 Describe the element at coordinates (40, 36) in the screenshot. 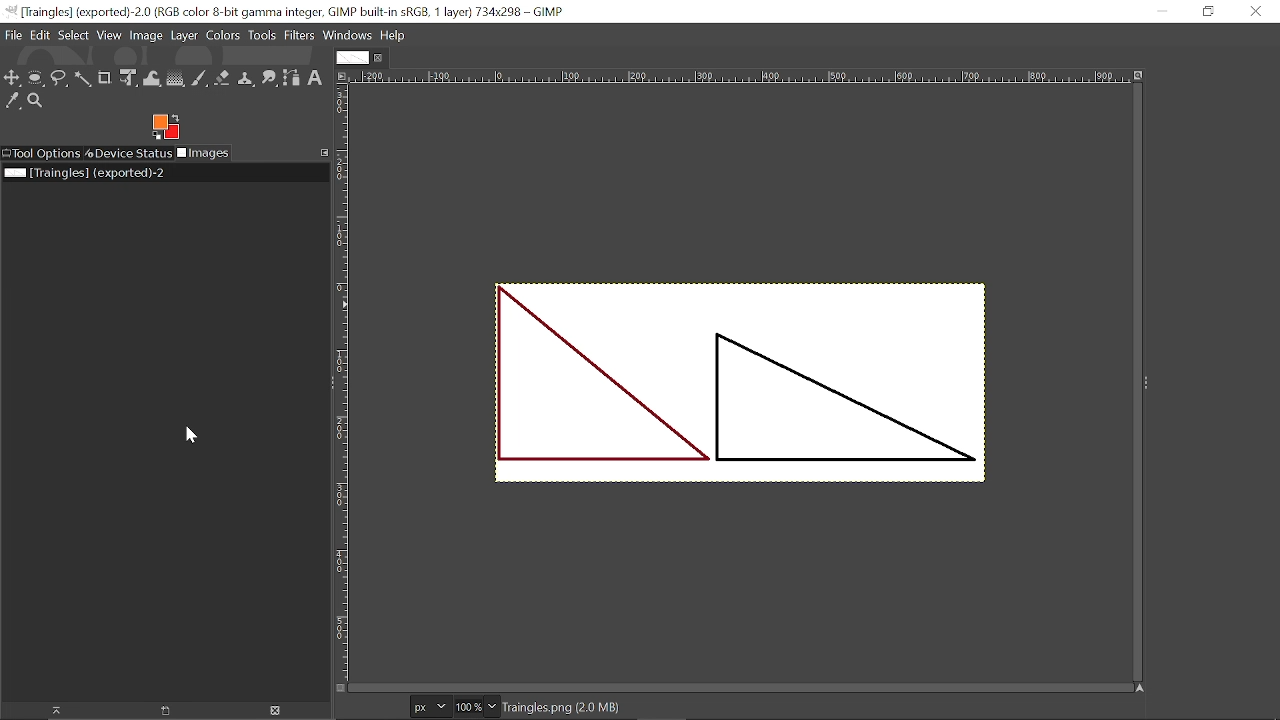

I see `File` at that location.